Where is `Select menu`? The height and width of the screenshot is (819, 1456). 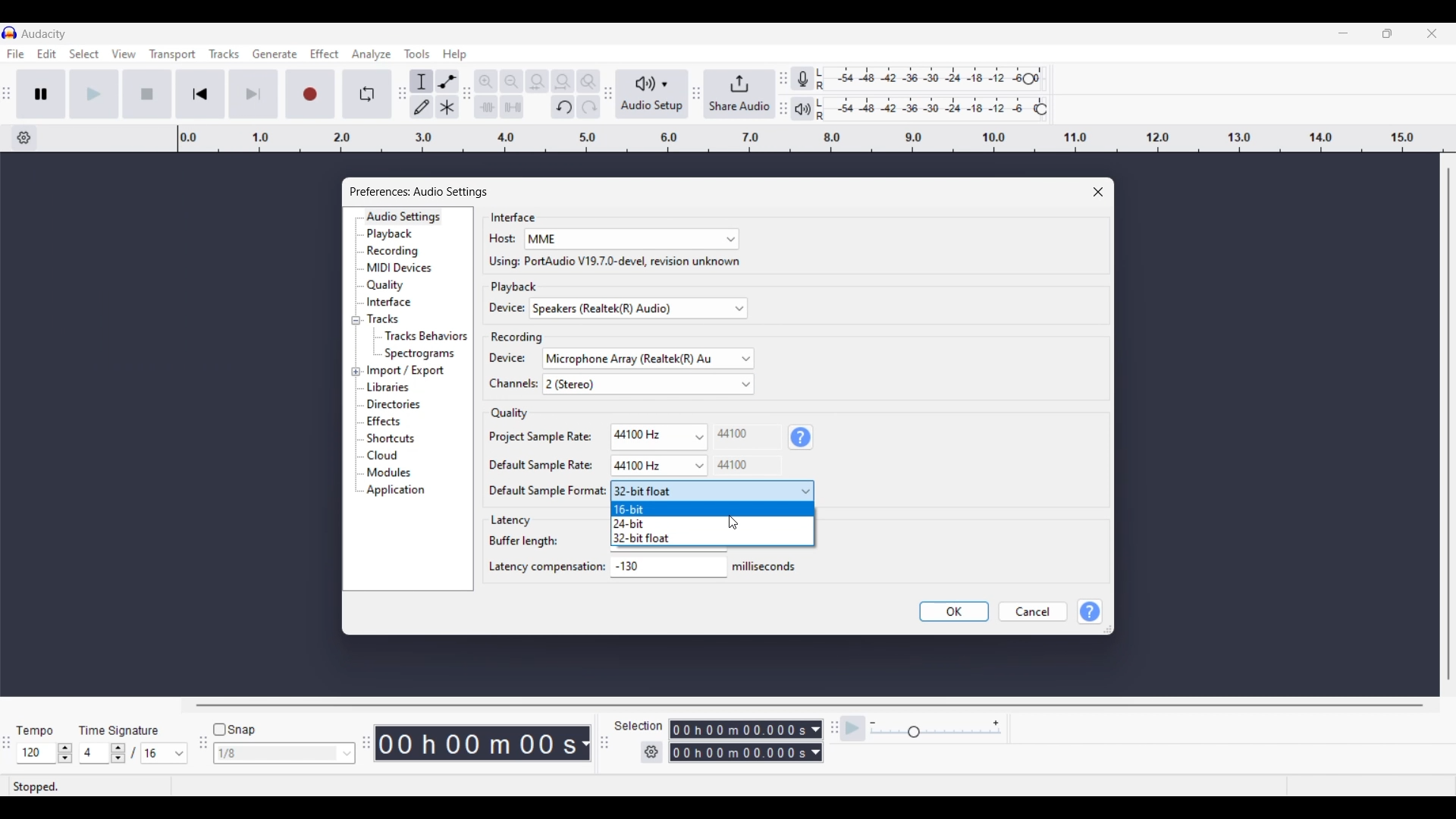 Select menu is located at coordinates (84, 55).